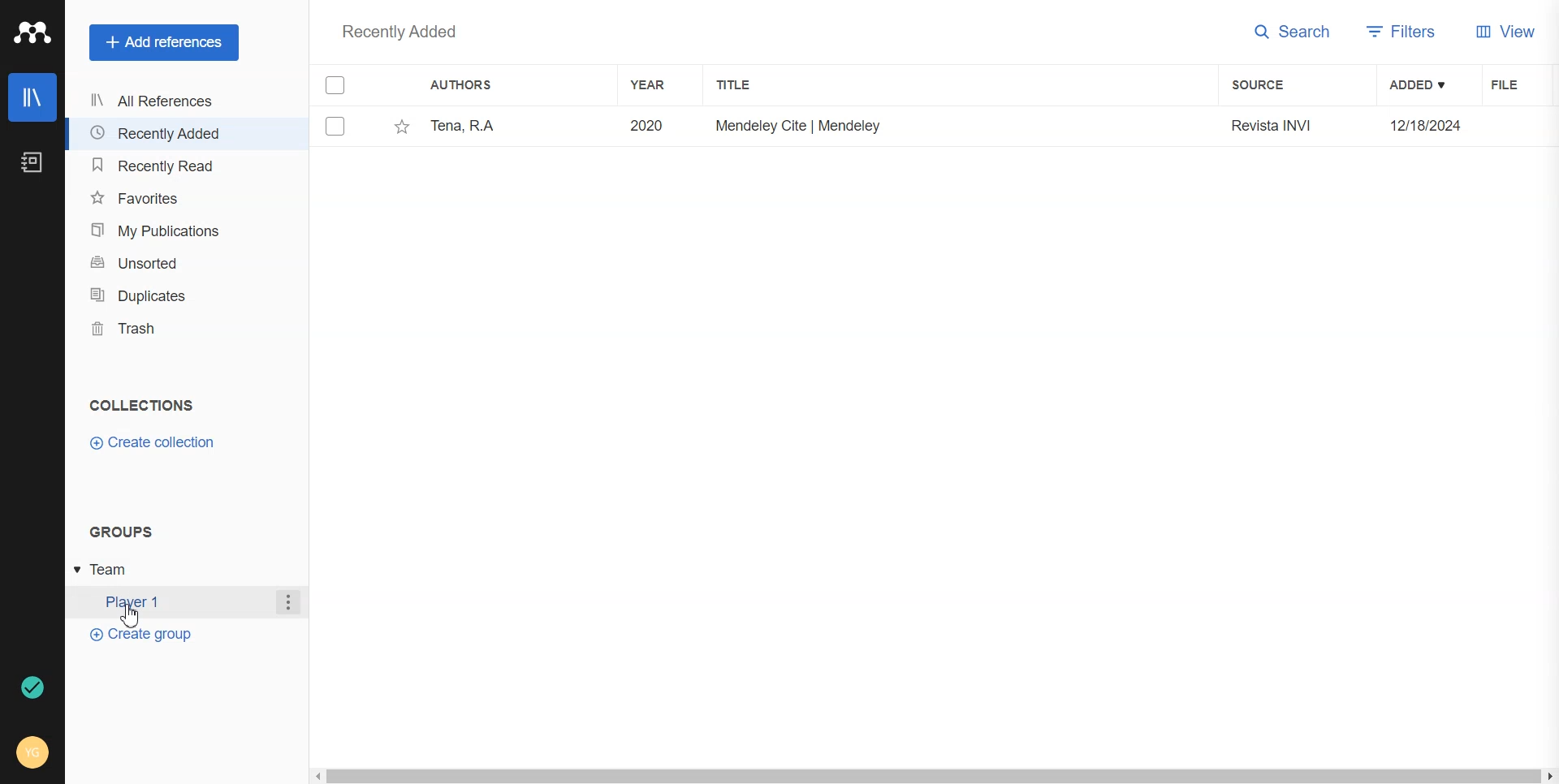 This screenshot has width=1559, height=784. What do you see at coordinates (154, 442) in the screenshot?
I see `Create collection` at bounding box center [154, 442].